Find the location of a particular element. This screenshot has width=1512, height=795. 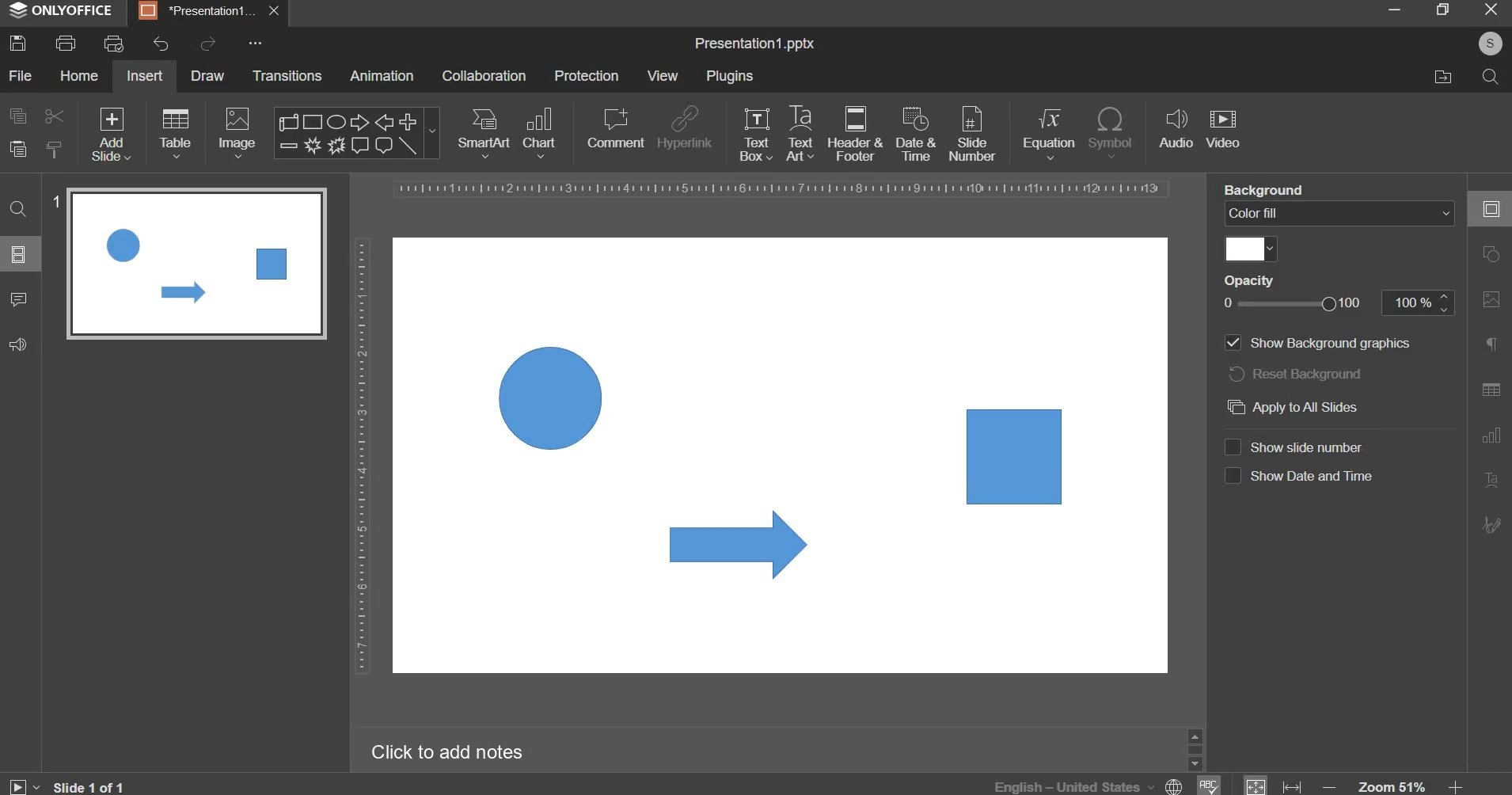

collaboration is located at coordinates (484, 76).